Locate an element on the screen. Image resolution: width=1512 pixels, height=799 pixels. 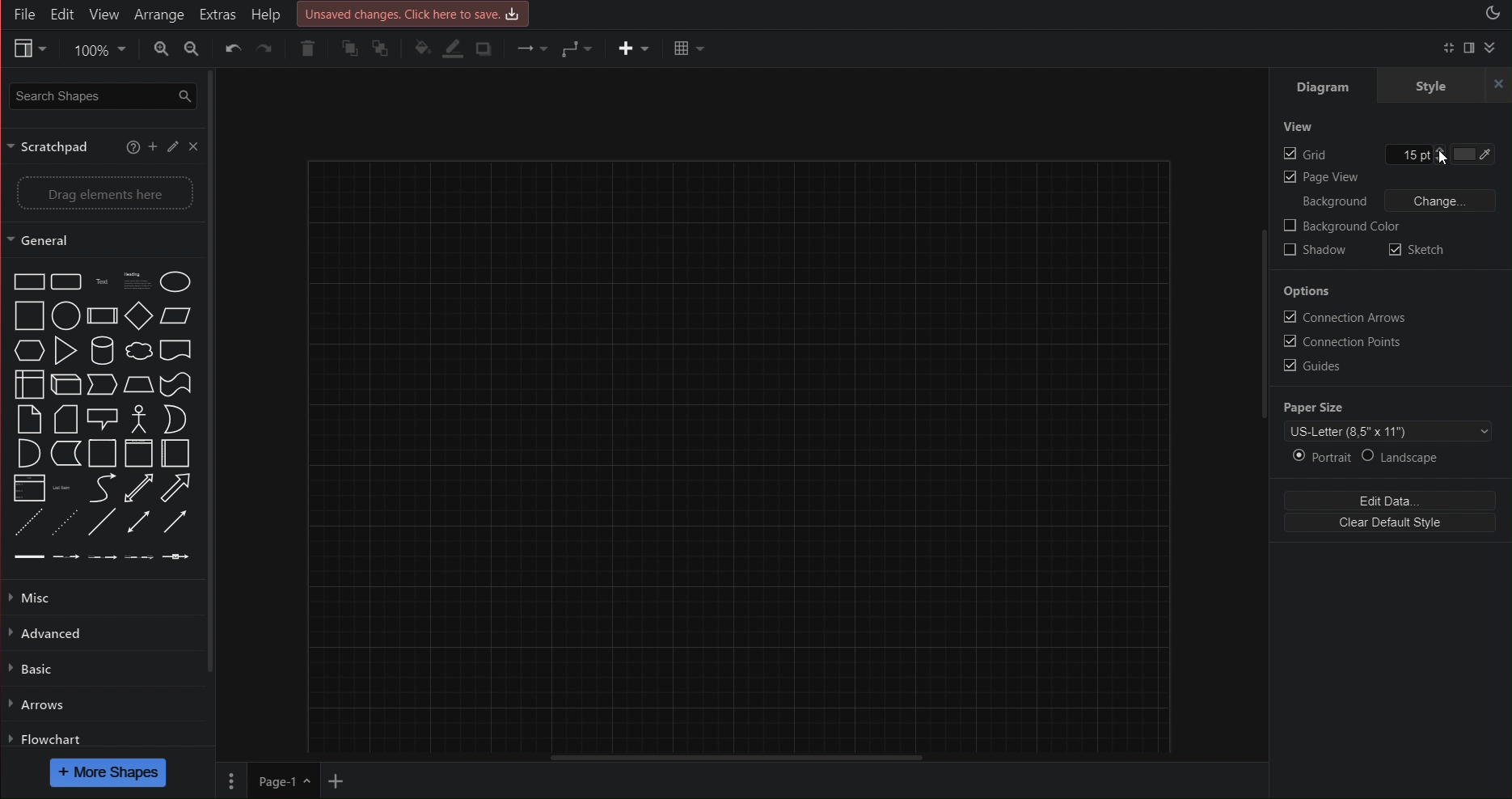
Search Shapes is located at coordinates (100, 98).